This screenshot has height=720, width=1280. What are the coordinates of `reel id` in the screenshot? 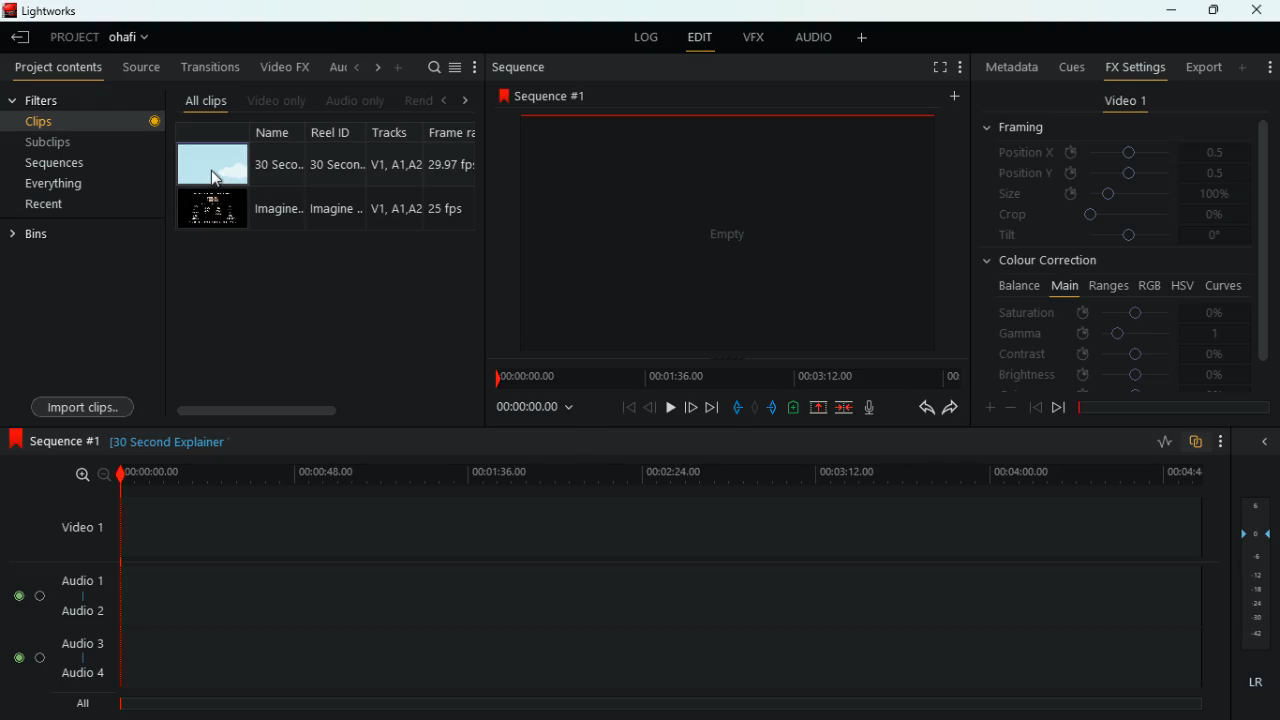 It's located at (329, 175).